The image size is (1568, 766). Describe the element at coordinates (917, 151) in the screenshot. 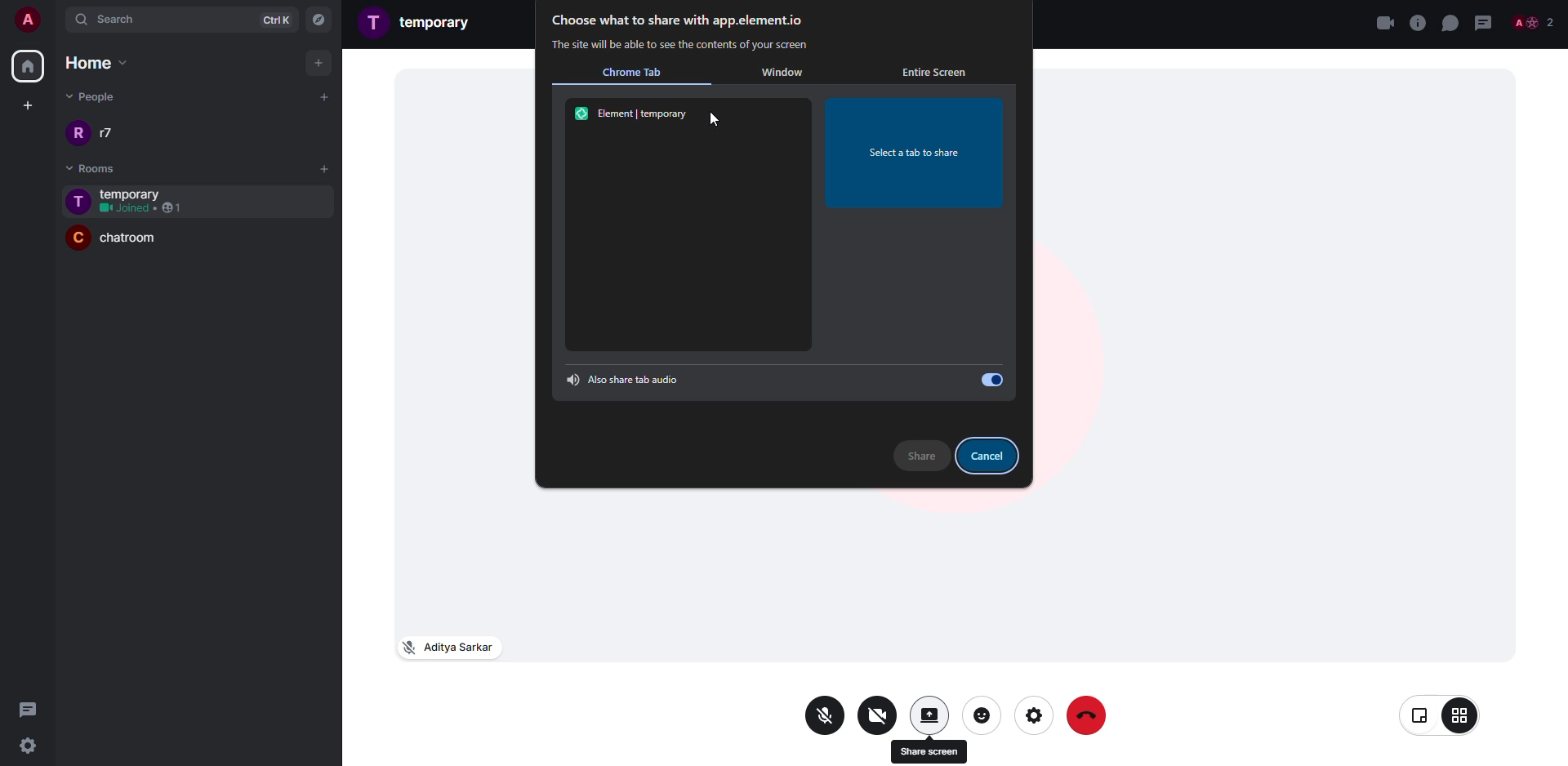

I see `select a tab` at that location.